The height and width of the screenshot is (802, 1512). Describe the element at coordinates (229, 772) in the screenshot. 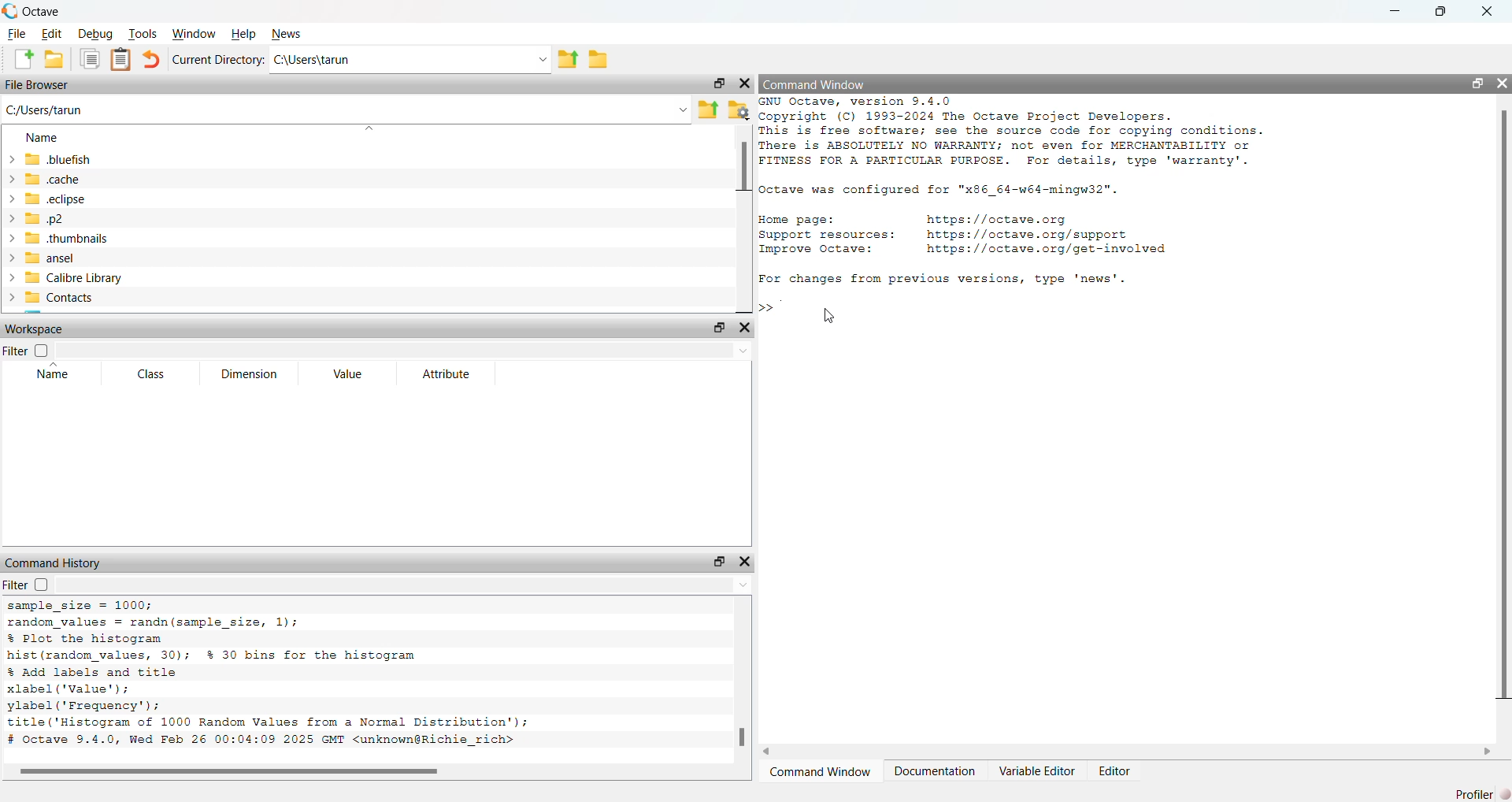

I see `scroll bar` at that location.